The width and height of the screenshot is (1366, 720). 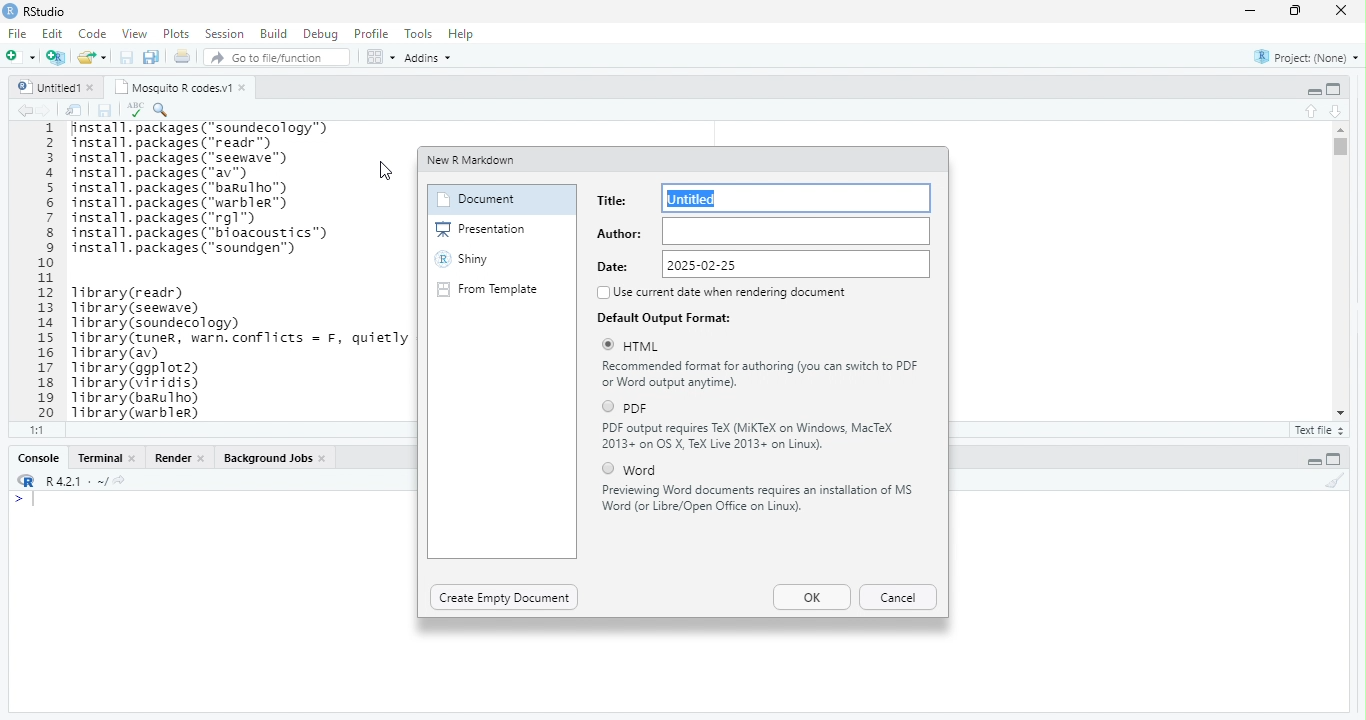 What do you see at coordinates (77, 482) in the screenshot?
I see `R 4.2.1~/` at bounding box center [77, 482].